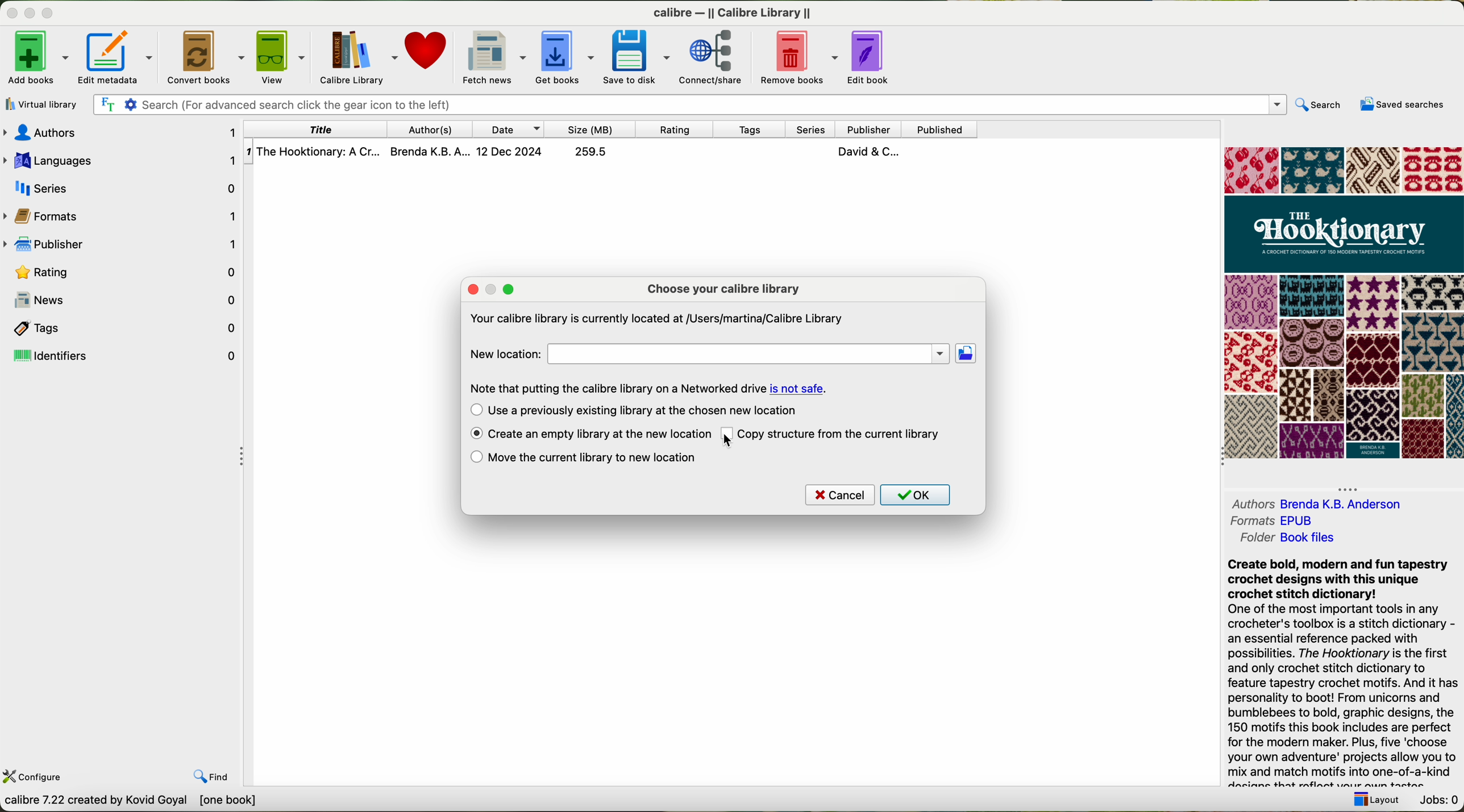 This screenshot has width=1464, height=812. What do you see at coordinates (48, 13) in the screenshot?
I see `maximize` at bounding box center [48, 13].